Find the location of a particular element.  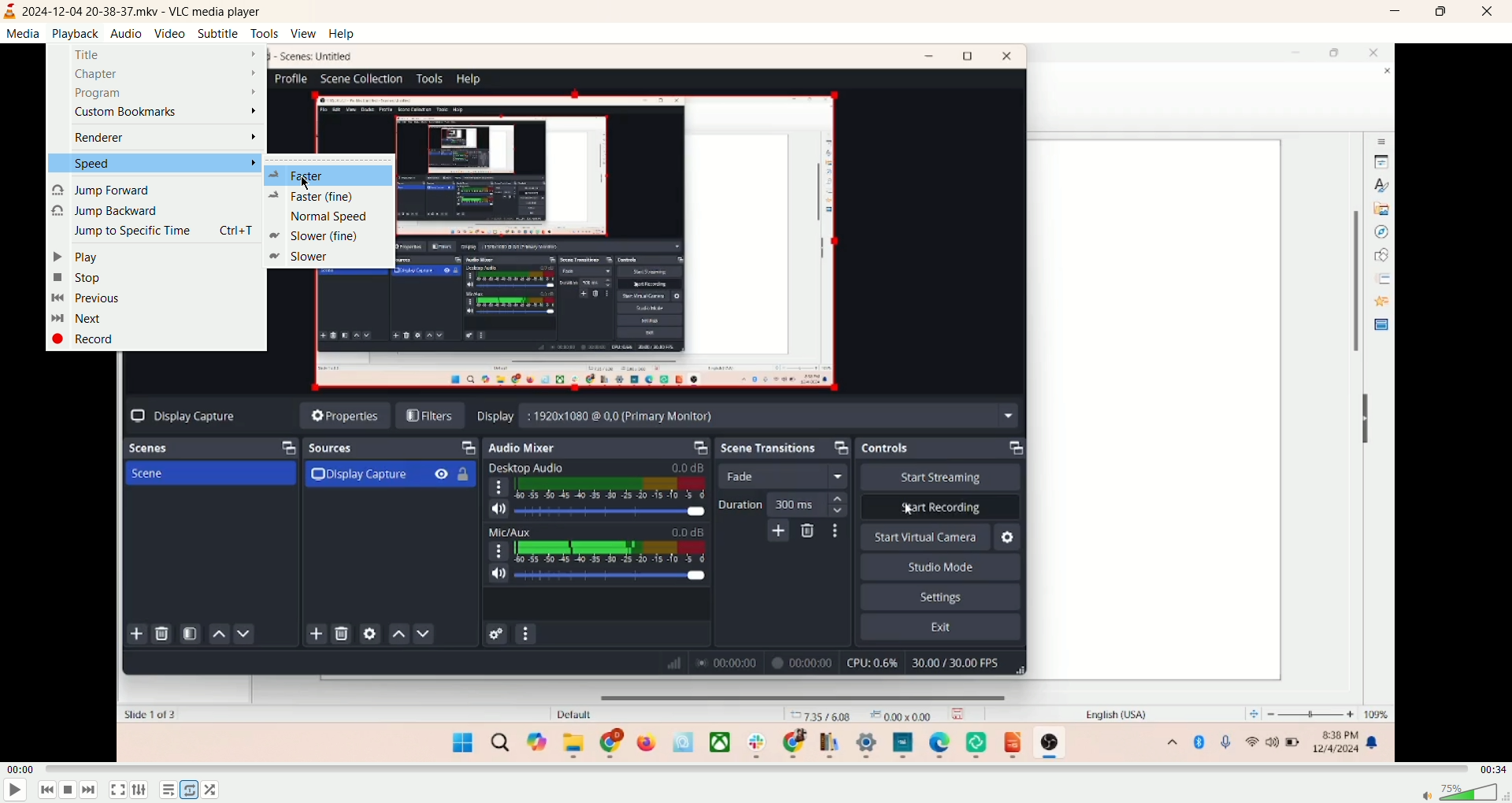

loop is located at coordinates (187, 790).